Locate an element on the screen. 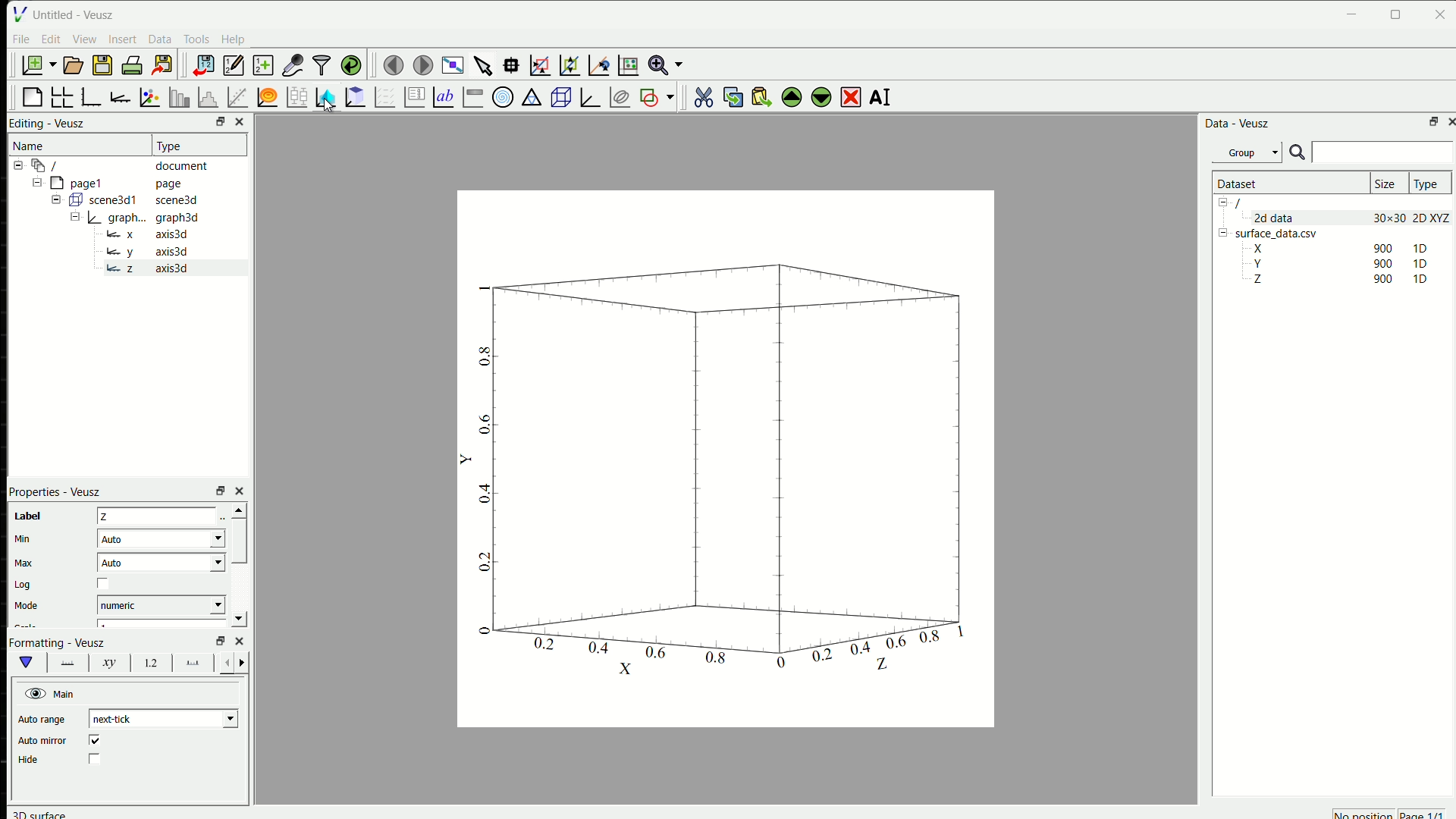 This screenshot has width=1456, height=819. Edit is located at coordinates (52, 39).